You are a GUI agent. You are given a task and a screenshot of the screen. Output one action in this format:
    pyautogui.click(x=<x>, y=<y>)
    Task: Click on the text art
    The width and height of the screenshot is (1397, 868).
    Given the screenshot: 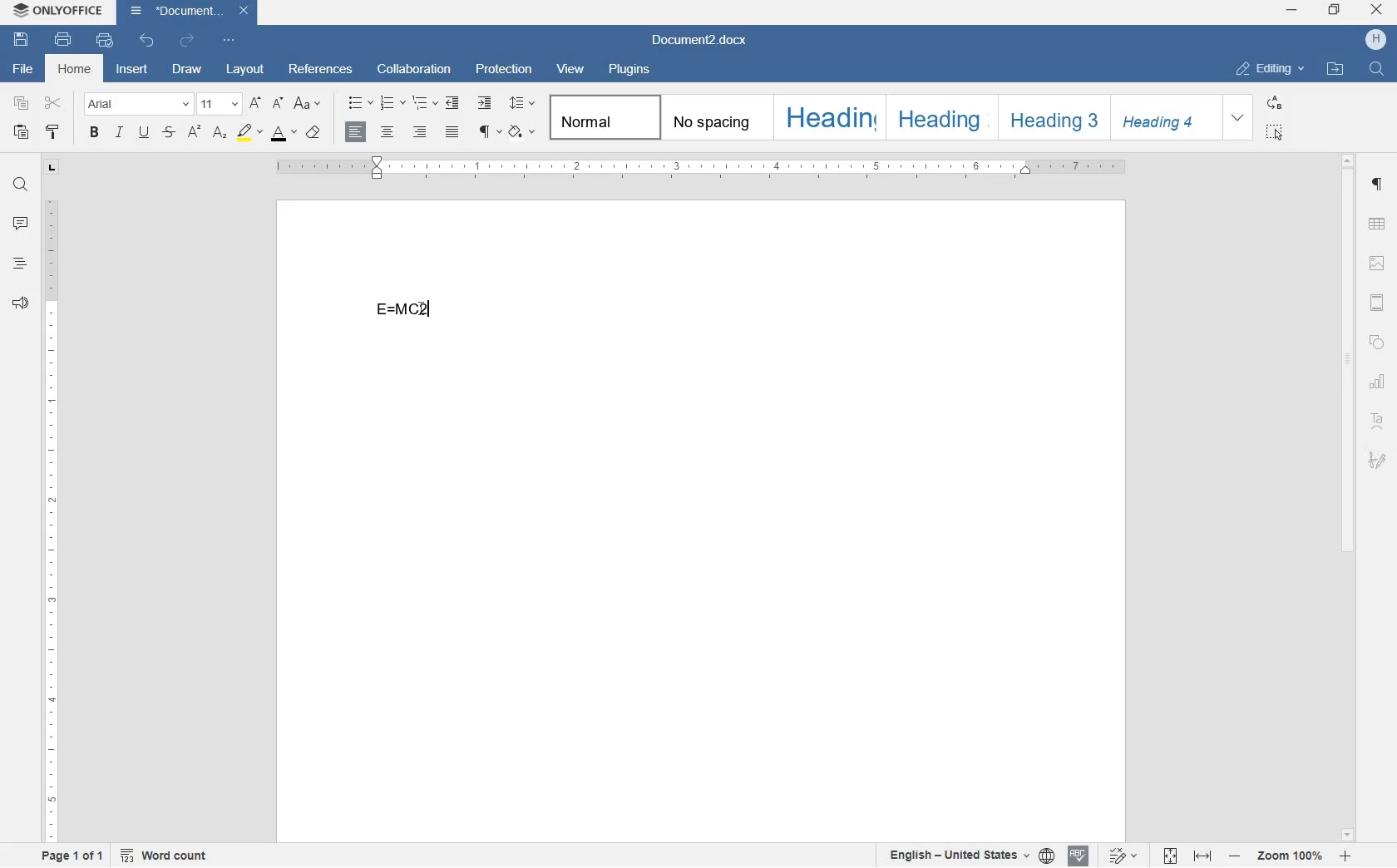 What is the action you would take?
    pyautogui.click(x=1380, y=422)
    